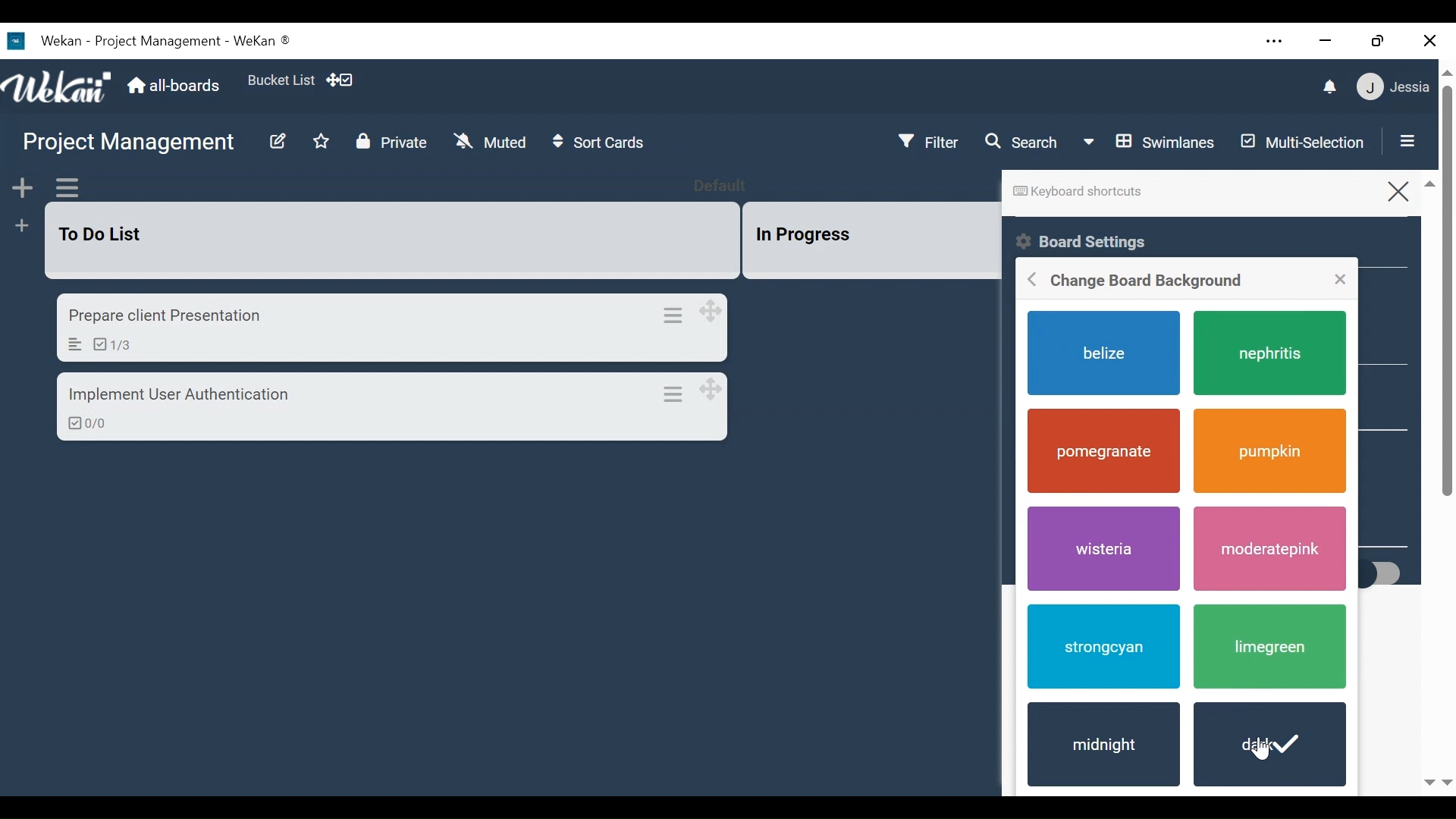 The image size is (1456, 819). Describe the element at coordinates (178, 397) in the screenshot. I see `Card Title` at that location.